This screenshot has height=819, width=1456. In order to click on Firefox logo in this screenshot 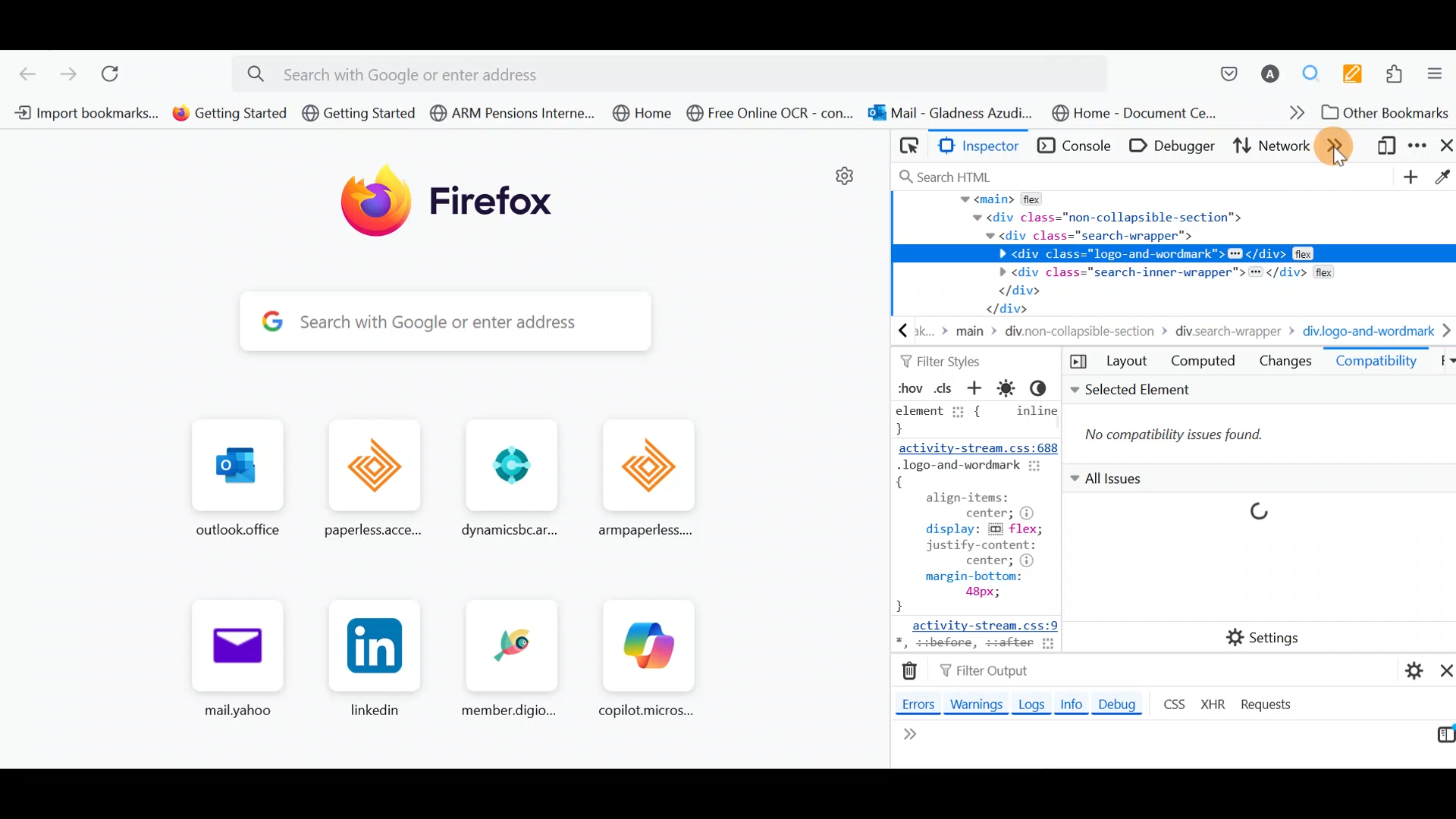, I will do `click(459, 207)`.